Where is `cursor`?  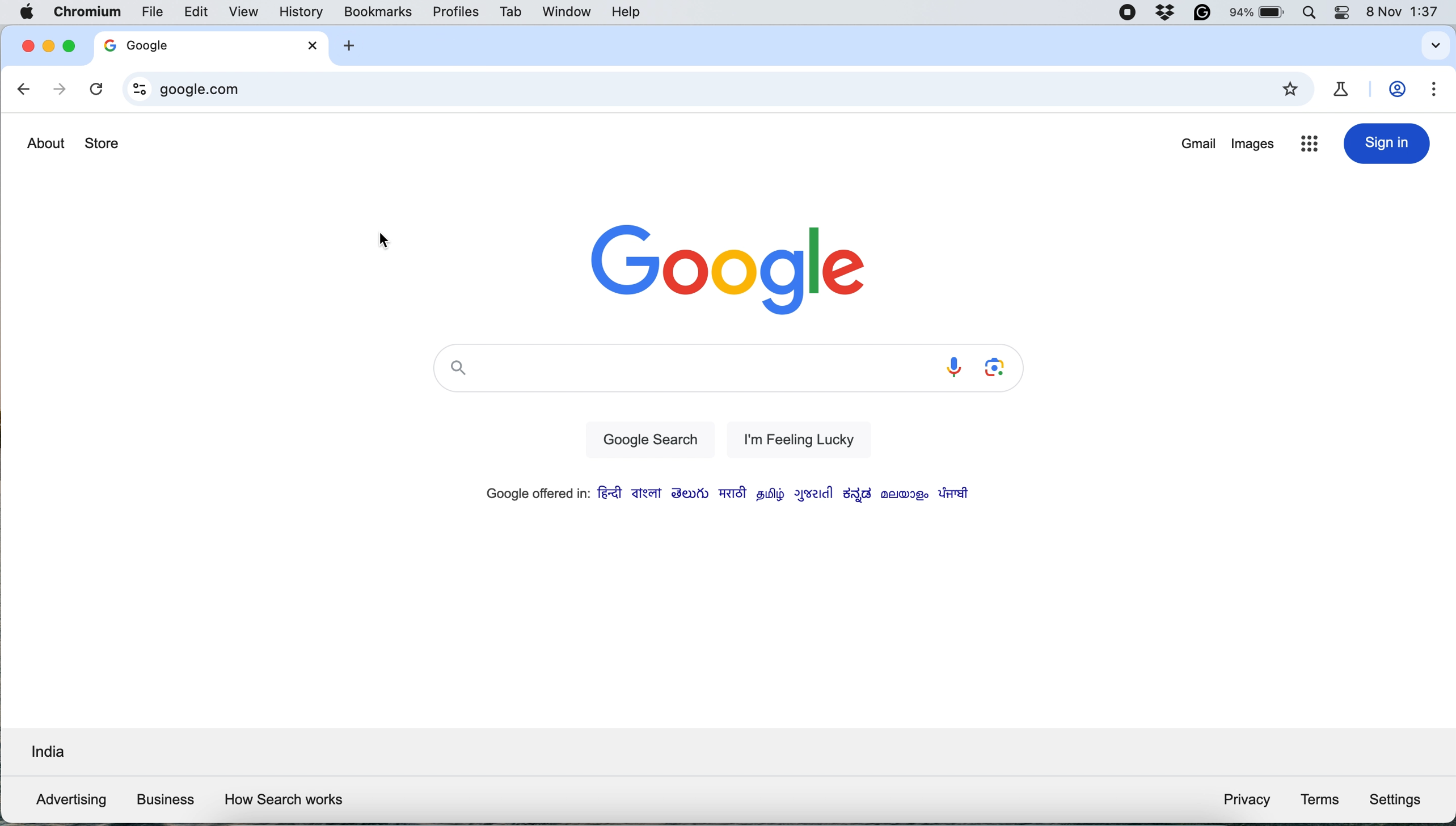
cursor is located at coordinates (386, 241).